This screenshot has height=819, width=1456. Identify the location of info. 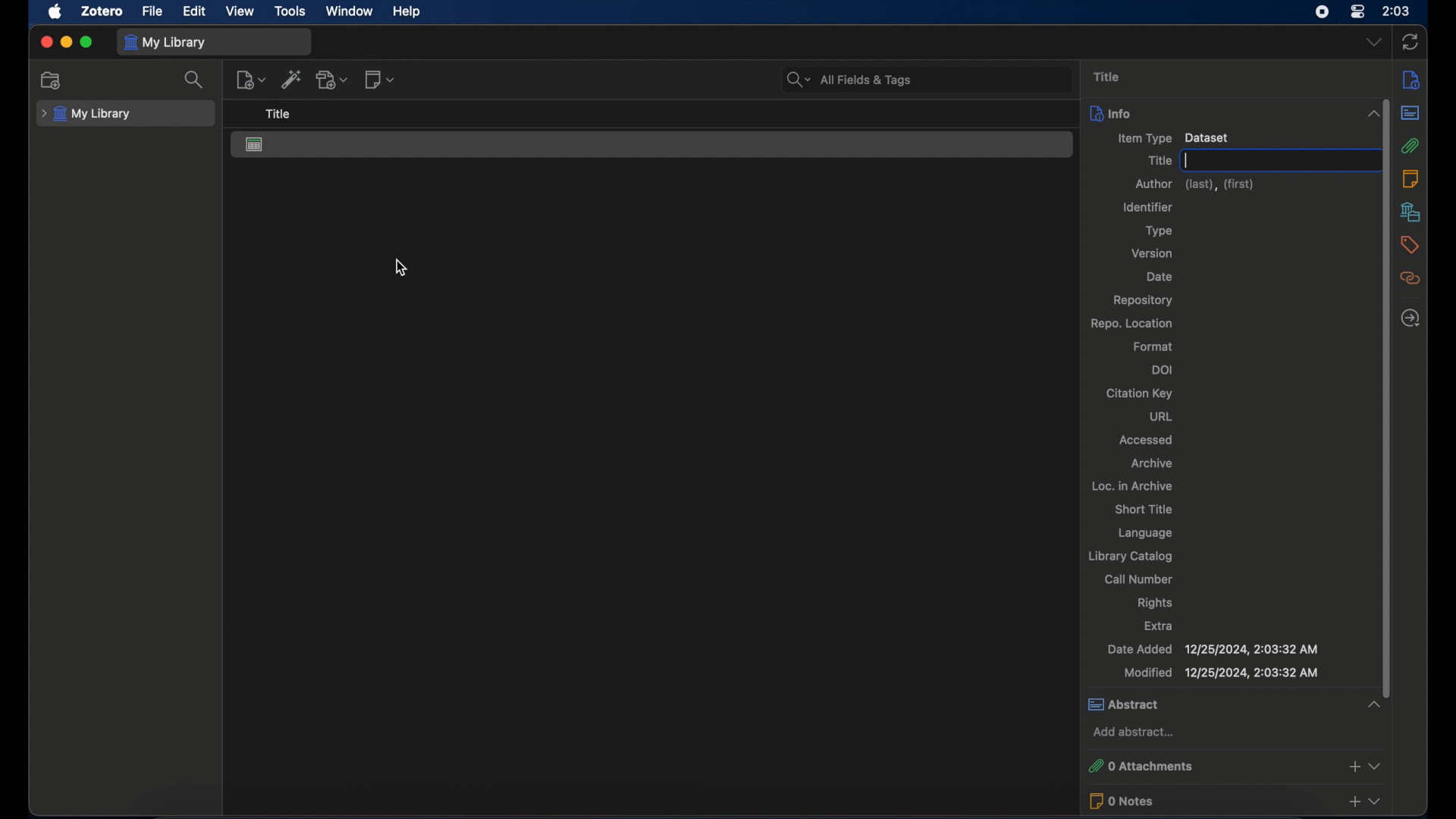
(1410, 80).